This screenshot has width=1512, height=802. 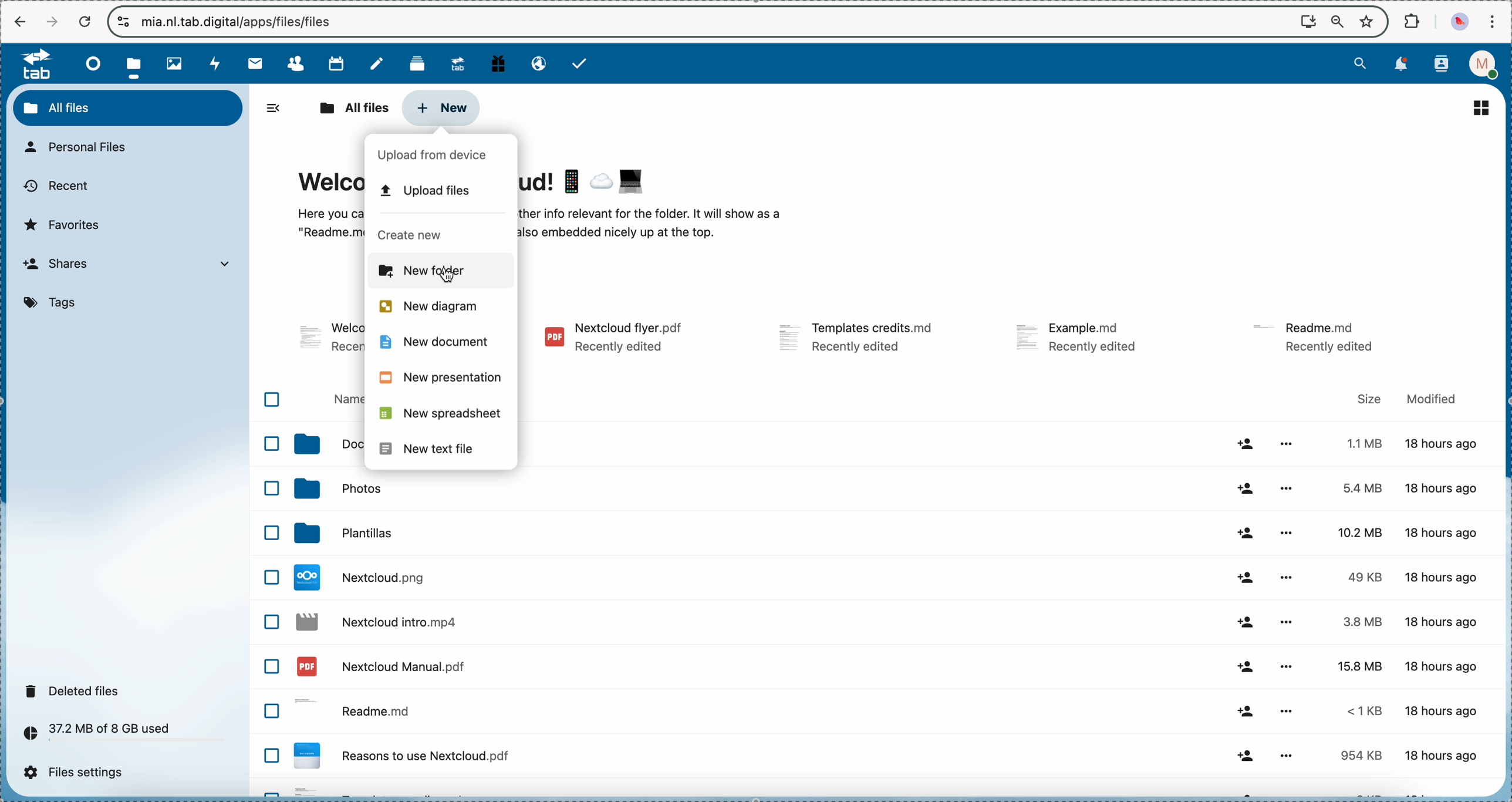 What do you see at coordinates (1285, 533) in the screenshot?
I see `more options` at bounding box center [1285, 533].